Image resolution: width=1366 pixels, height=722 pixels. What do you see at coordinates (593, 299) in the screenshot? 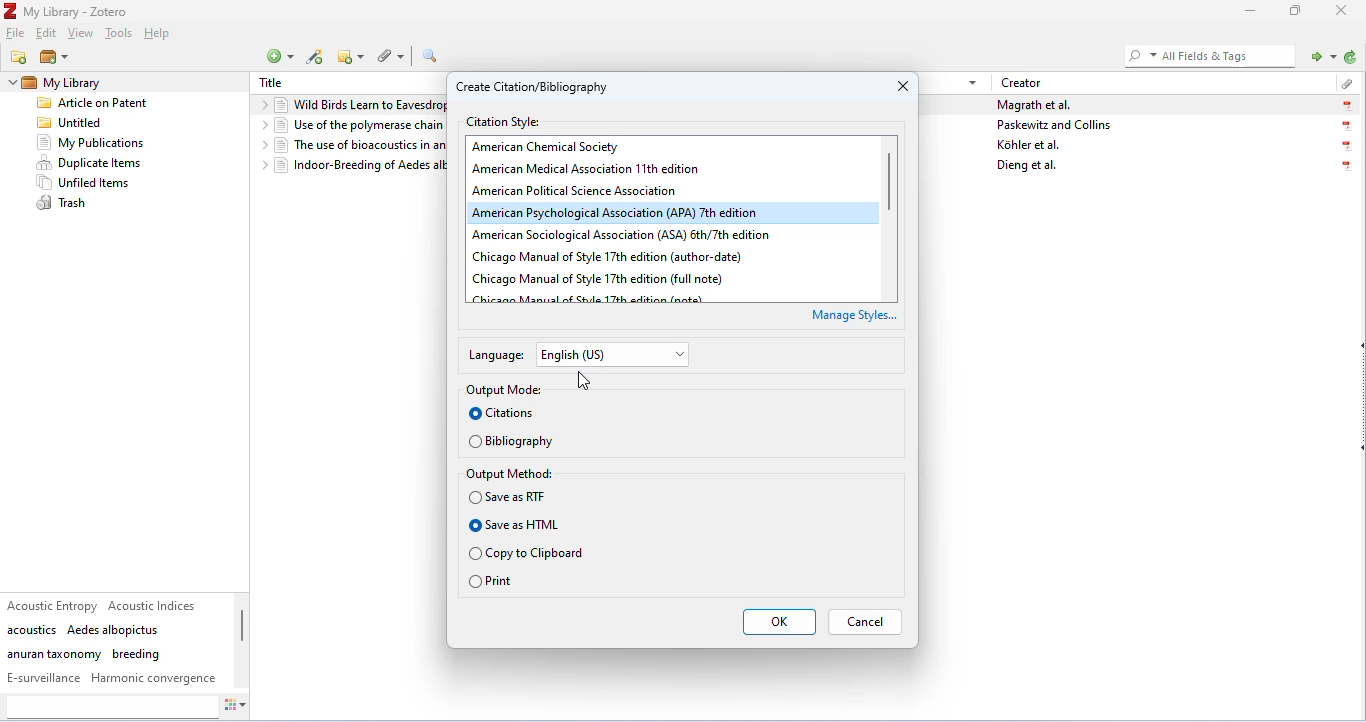
I see `chicago manual of style 17th edition (note)` at bounding box center [593, 299].